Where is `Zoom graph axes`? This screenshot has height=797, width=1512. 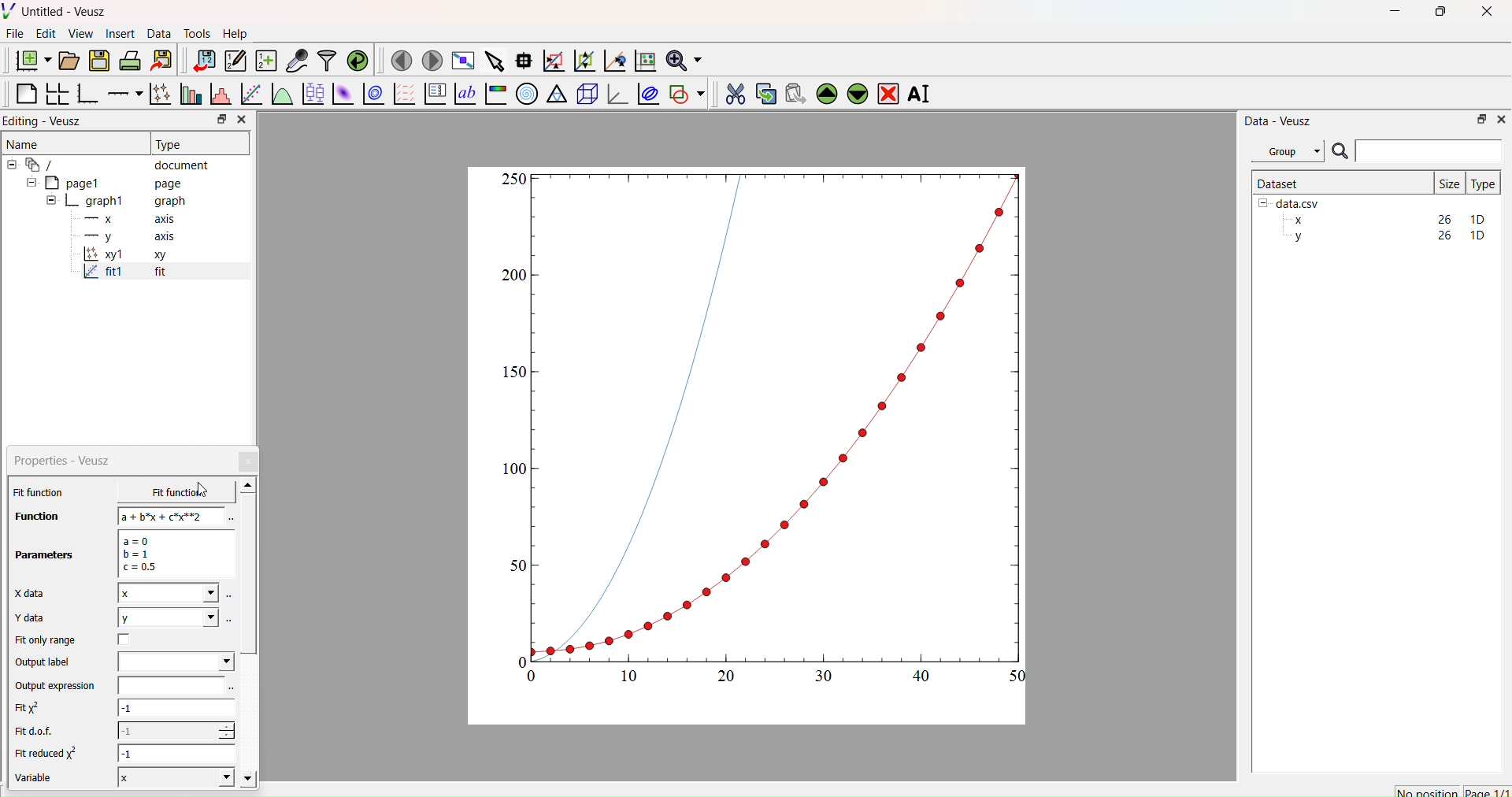 Zoom graph axes is located at coordinates (553, 61).